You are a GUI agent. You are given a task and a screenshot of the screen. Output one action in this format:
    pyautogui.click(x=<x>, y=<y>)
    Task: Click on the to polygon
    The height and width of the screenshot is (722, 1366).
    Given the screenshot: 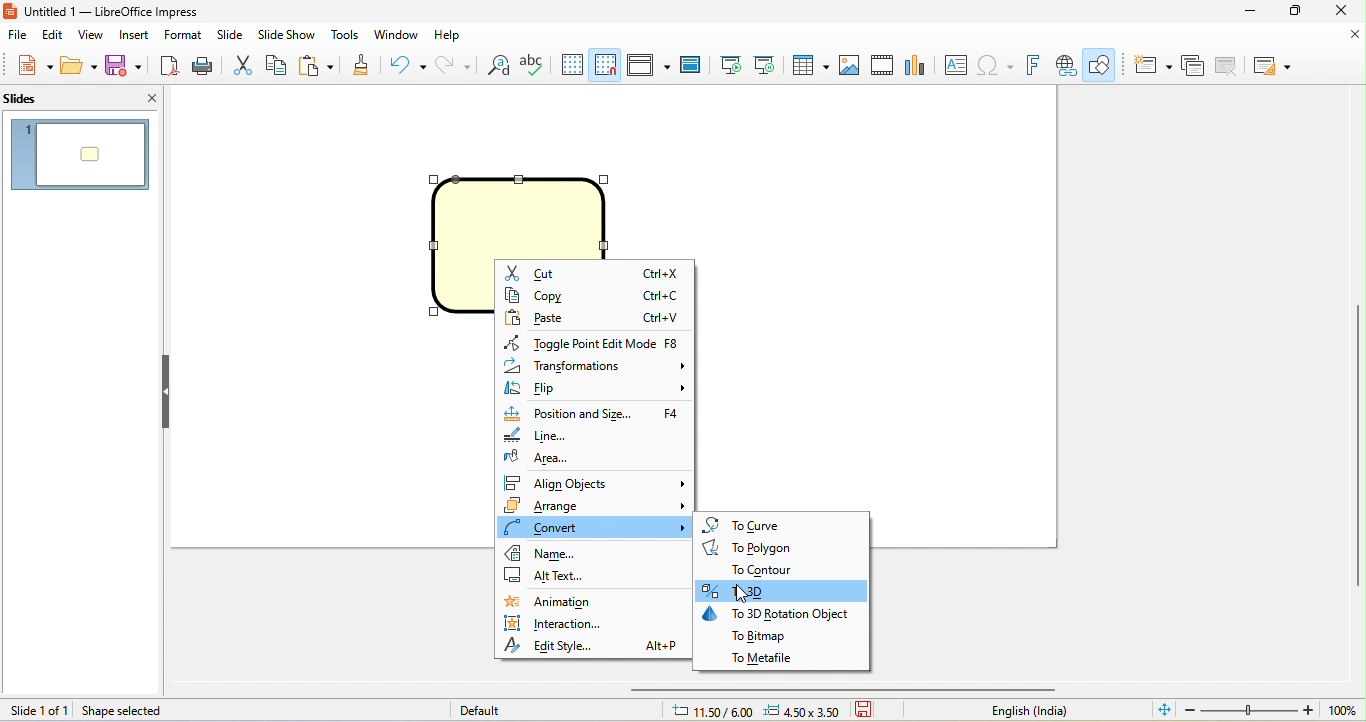 What is the action you would take?
    pyautogui.click(x=760, y=549)
    